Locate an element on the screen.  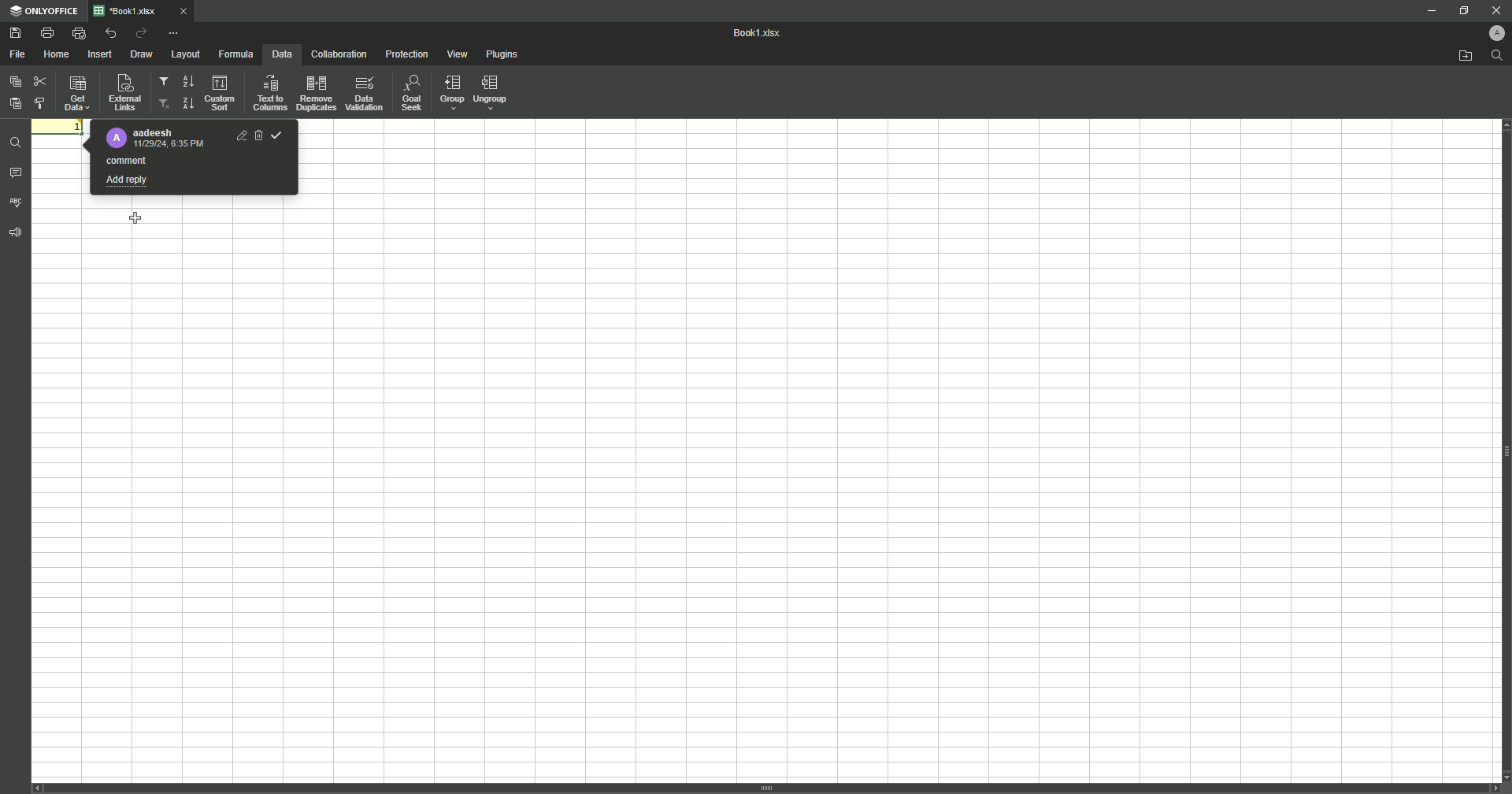
Protection is located at coordinates (406, 55).